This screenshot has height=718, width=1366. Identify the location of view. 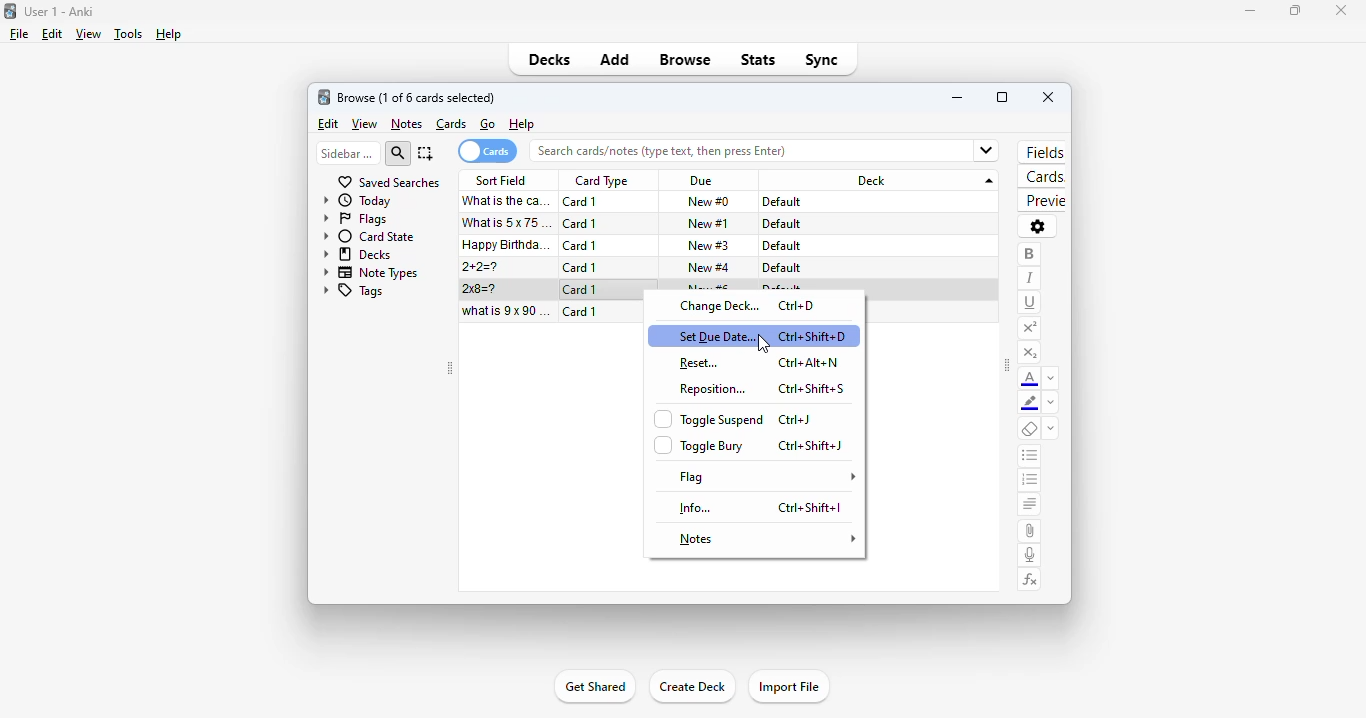
(364, 124).